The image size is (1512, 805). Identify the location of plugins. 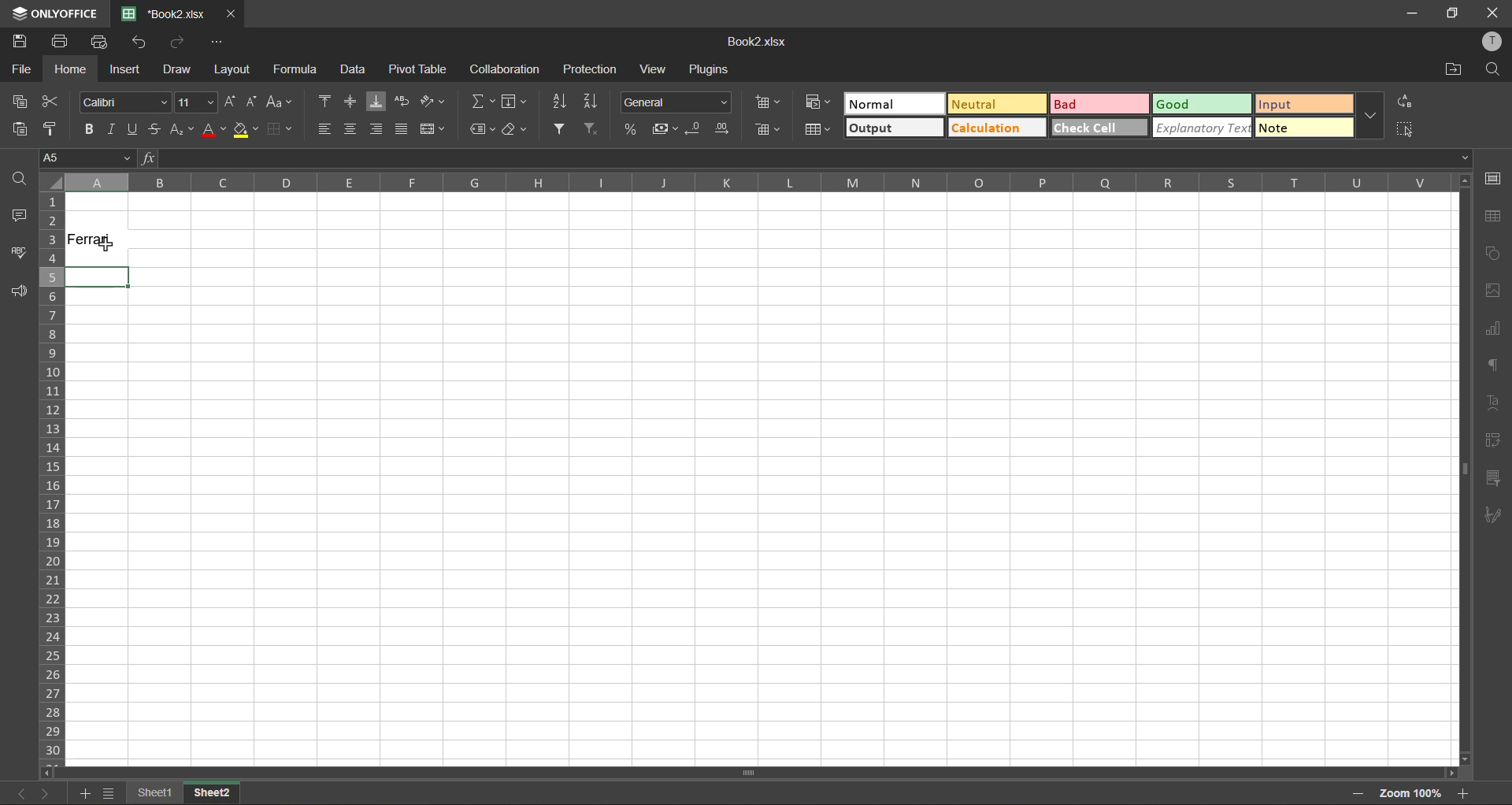
(706, 72).